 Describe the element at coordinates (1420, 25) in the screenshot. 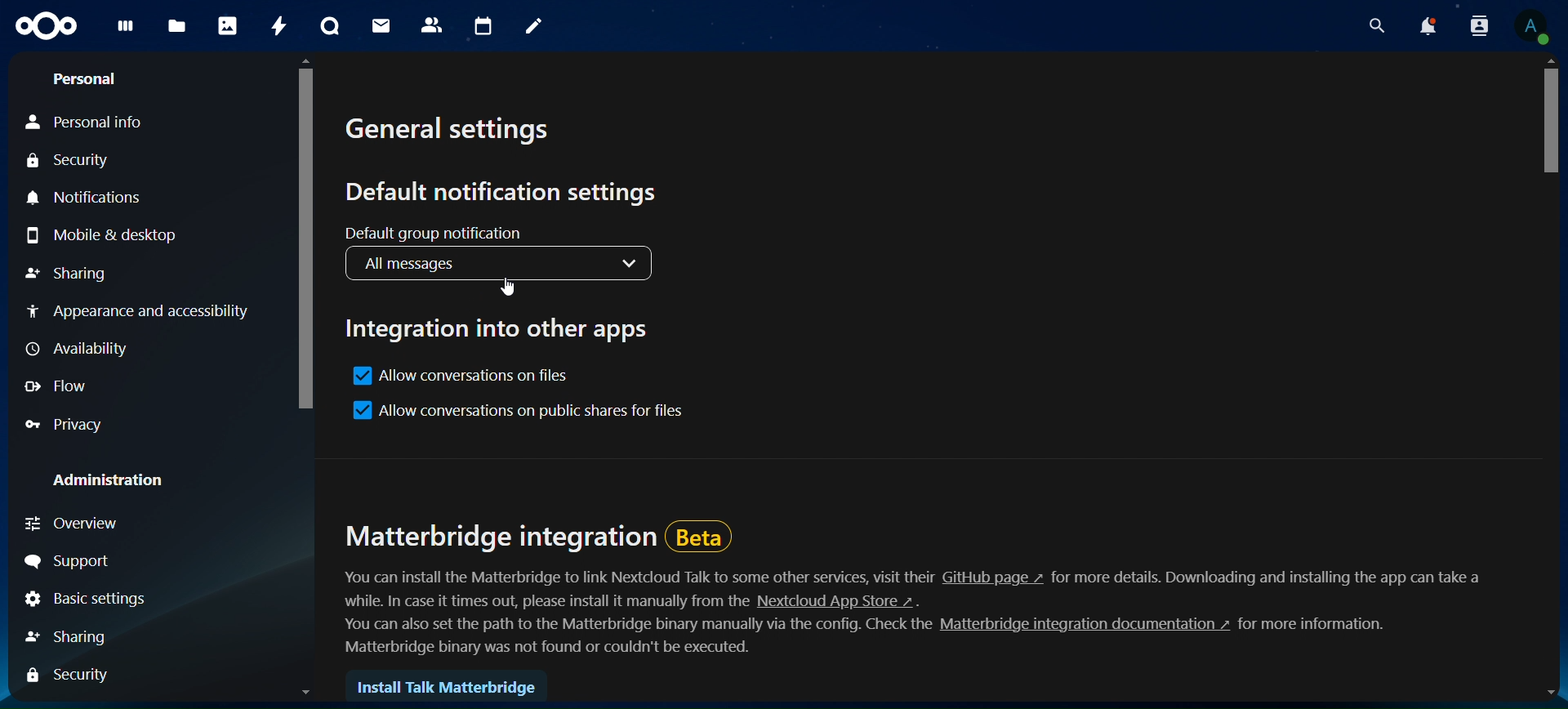

I see `notifications` at that location.